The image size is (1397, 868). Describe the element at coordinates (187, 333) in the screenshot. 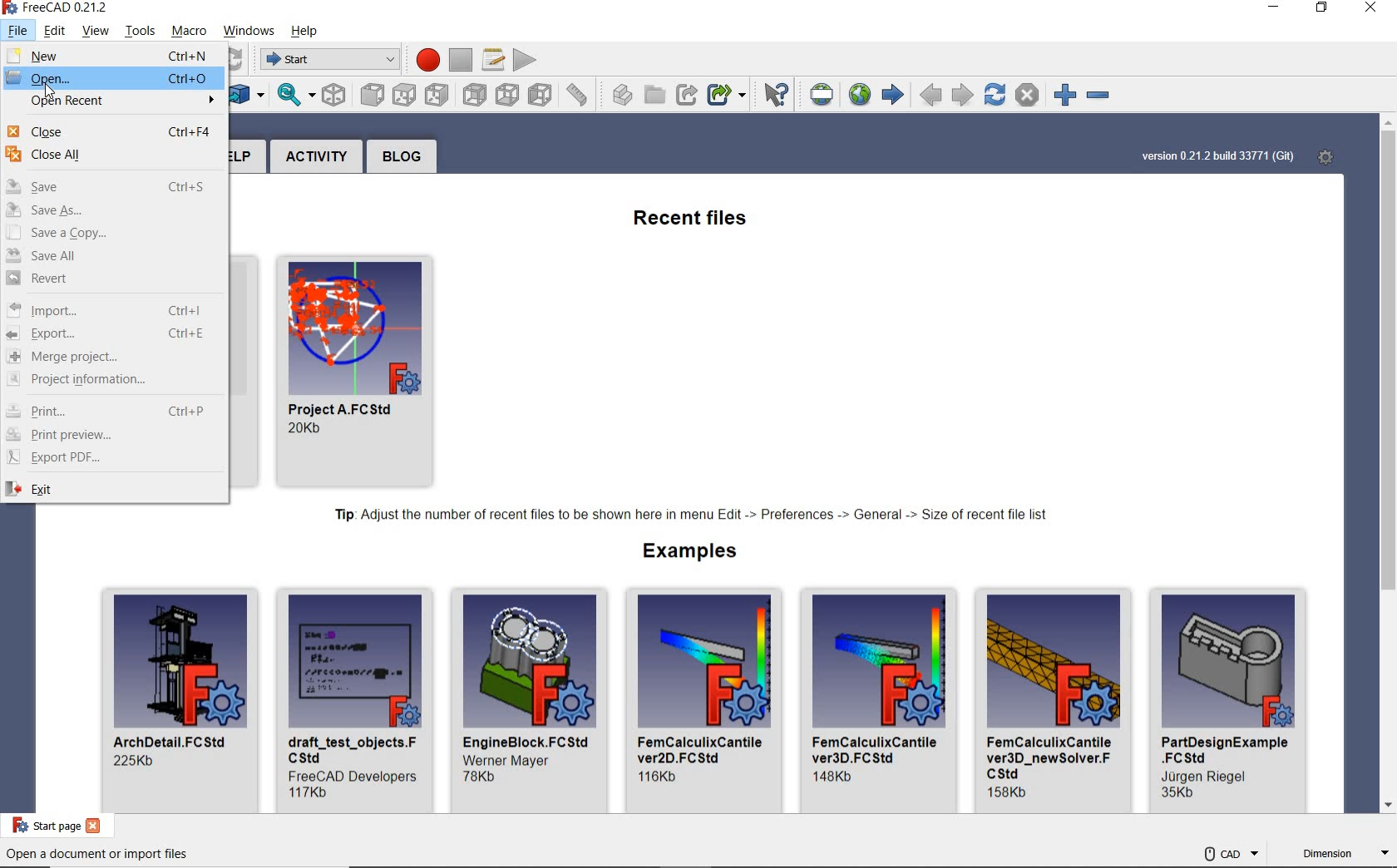

I see `Ctri+E` at that location.